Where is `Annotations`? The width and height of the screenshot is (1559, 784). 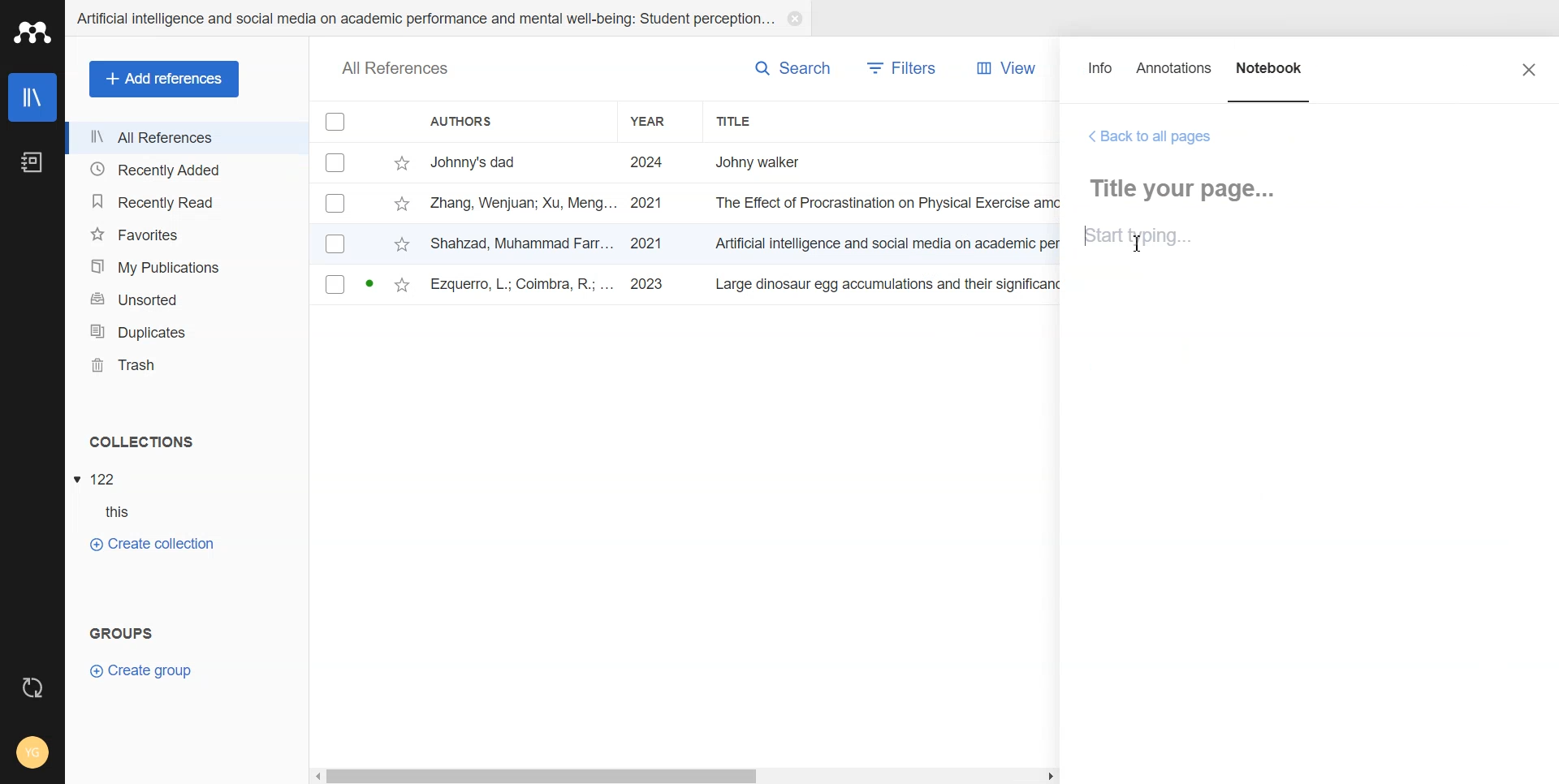 Annotations is located at coordinates (1175, 75).